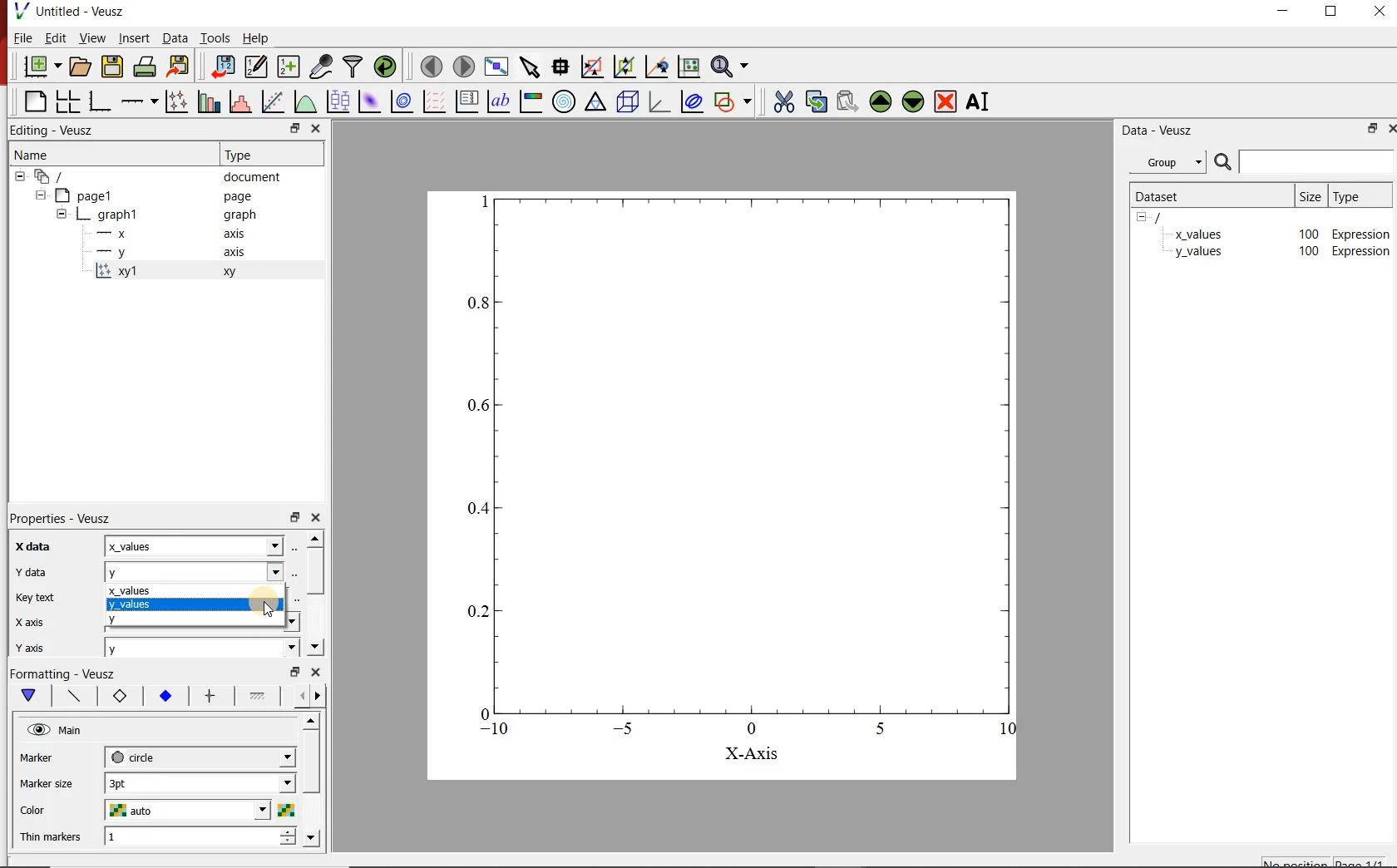  Describe the element at coordinates (81, 11) in the screenshot. I see `Untitled - Veusz` at that location.